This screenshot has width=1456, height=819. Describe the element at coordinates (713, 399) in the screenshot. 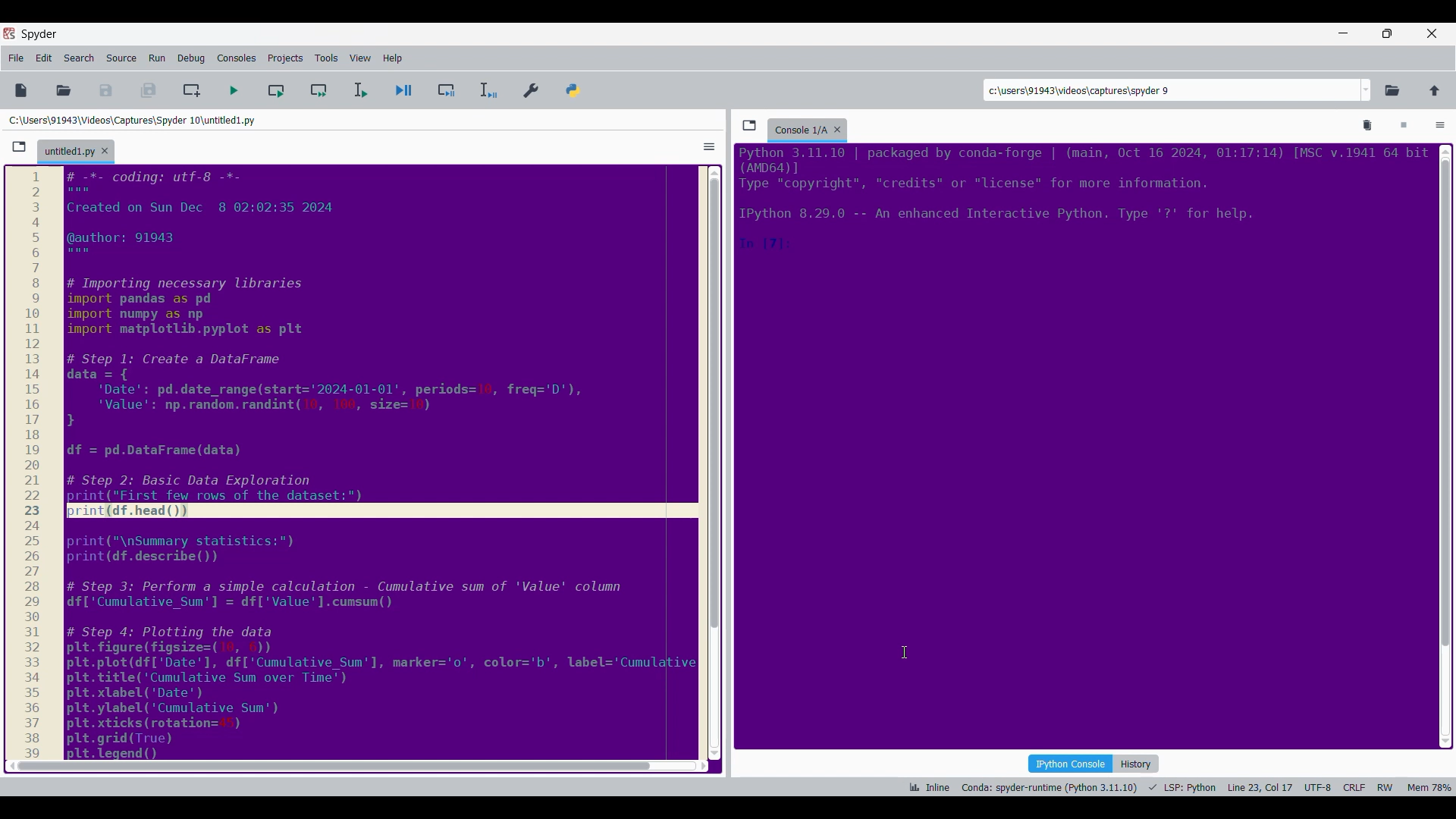

I see `` at that location.